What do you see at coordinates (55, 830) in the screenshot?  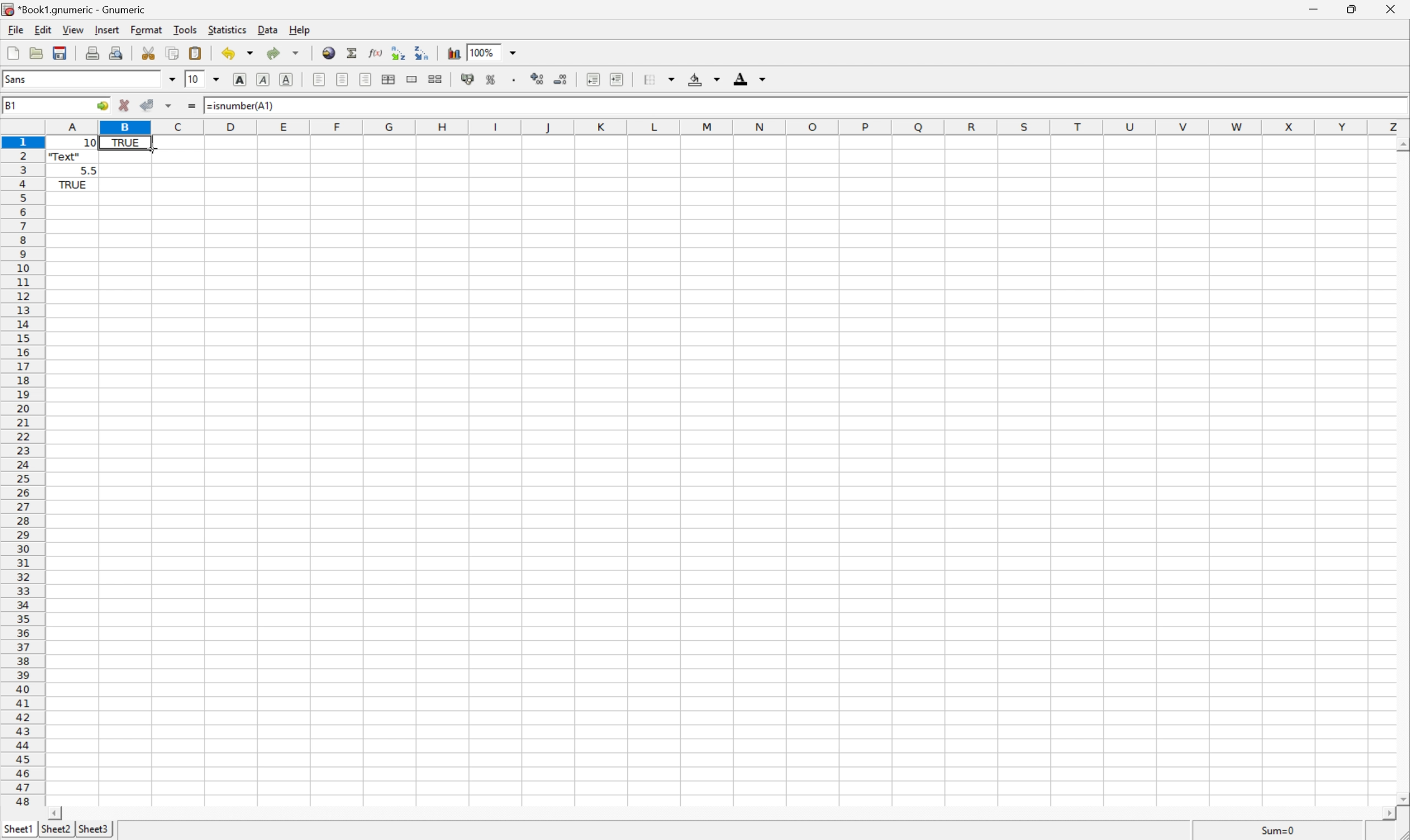 I see `Sheet2` at bounding box center [55, 830].